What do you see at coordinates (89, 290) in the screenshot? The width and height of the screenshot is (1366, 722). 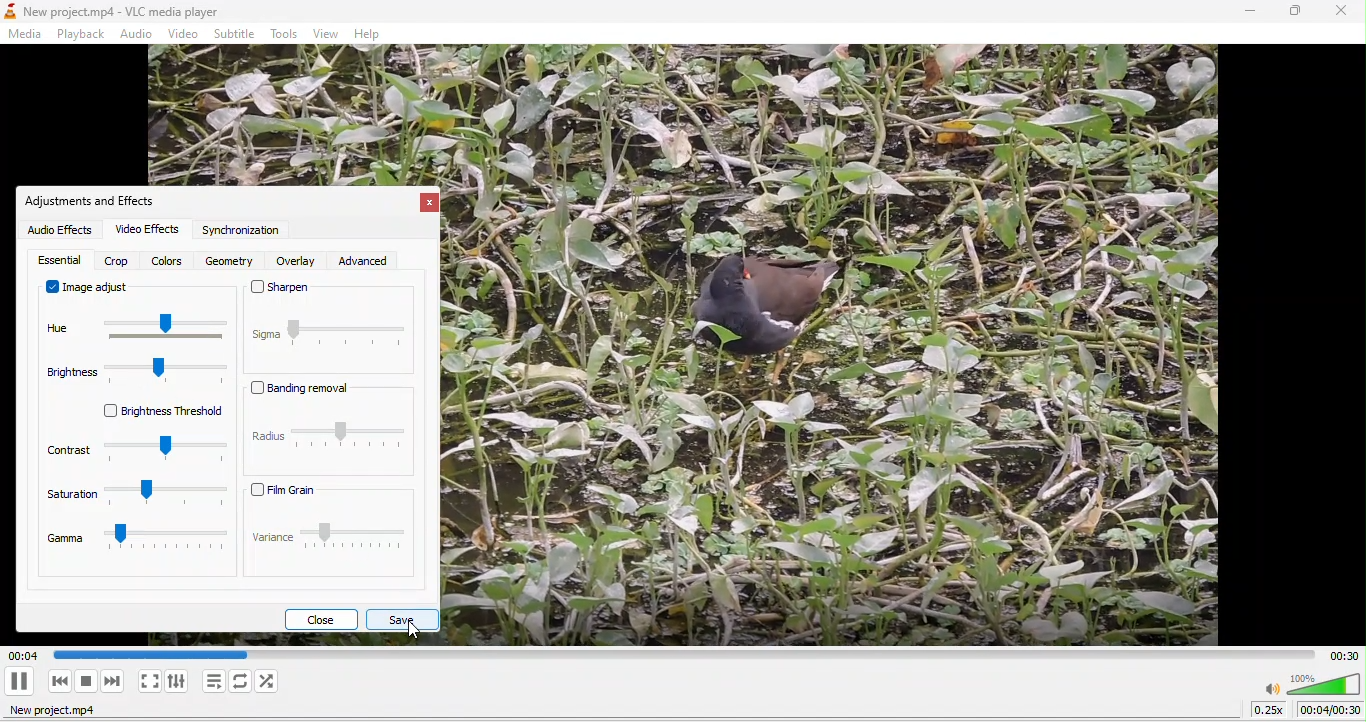 I see `image adjust` at bounding box center [89, 290].